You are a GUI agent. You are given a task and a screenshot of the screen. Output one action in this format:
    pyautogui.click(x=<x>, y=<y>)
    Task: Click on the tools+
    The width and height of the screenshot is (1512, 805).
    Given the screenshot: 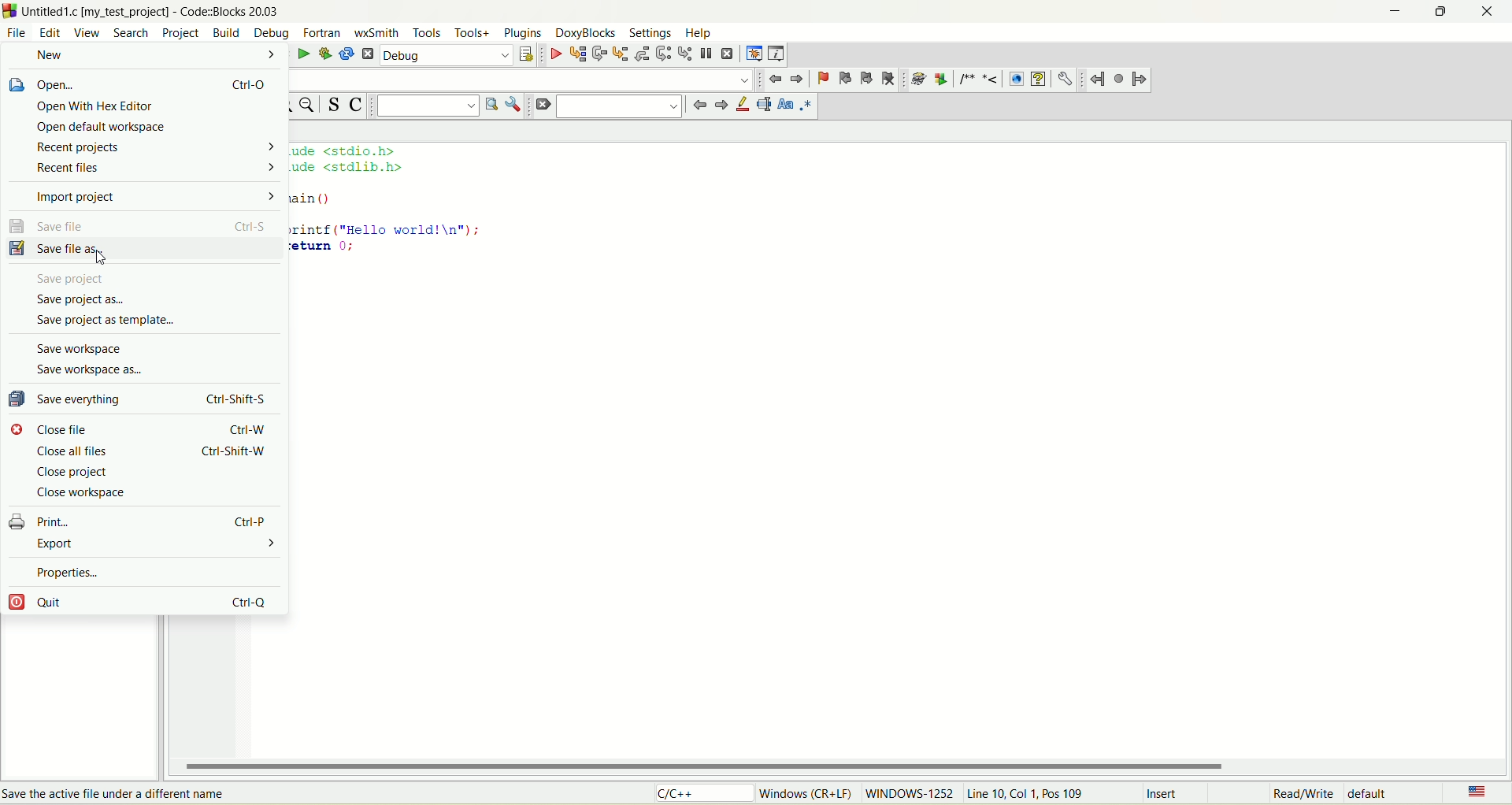 What is the action you would take?
    pyautogui.click(x=472, y=33)
    